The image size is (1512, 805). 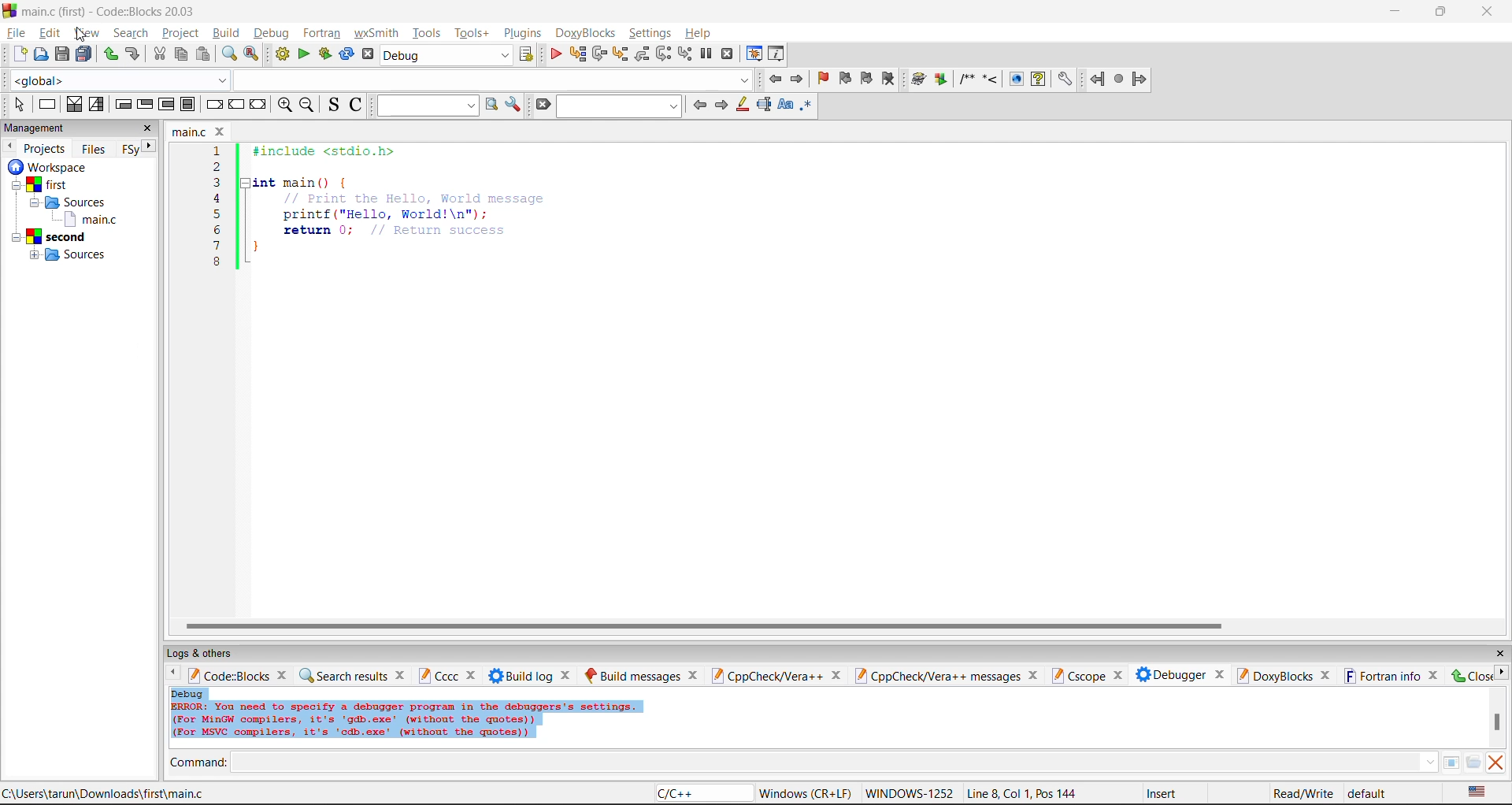 What do you see at coordinates (42, 57) in the screenshot?
I see `open` at bounding box center [42, 57].